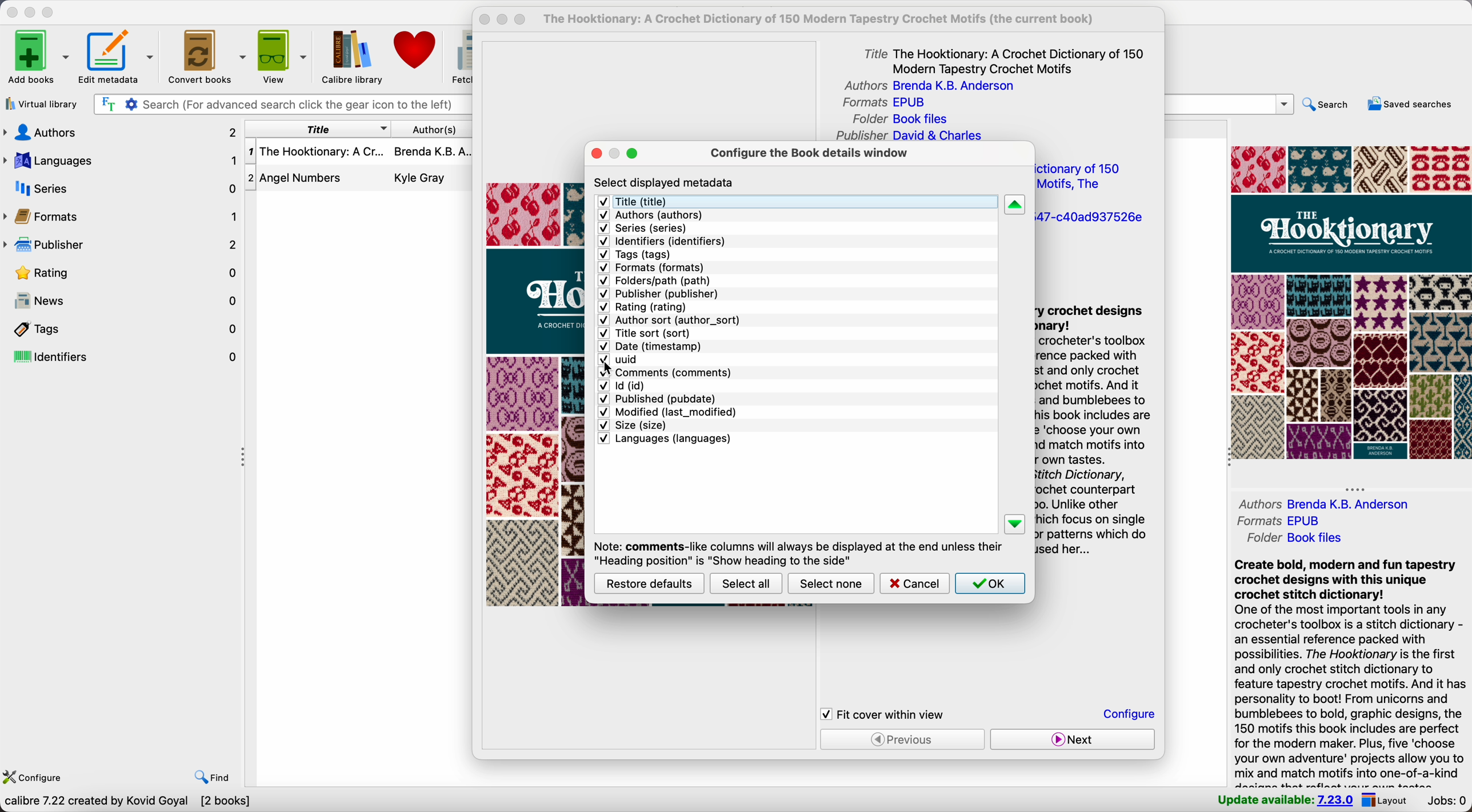  Describe the element at coordinates (905, 119) in the screenshot. I see `folder` at that location.